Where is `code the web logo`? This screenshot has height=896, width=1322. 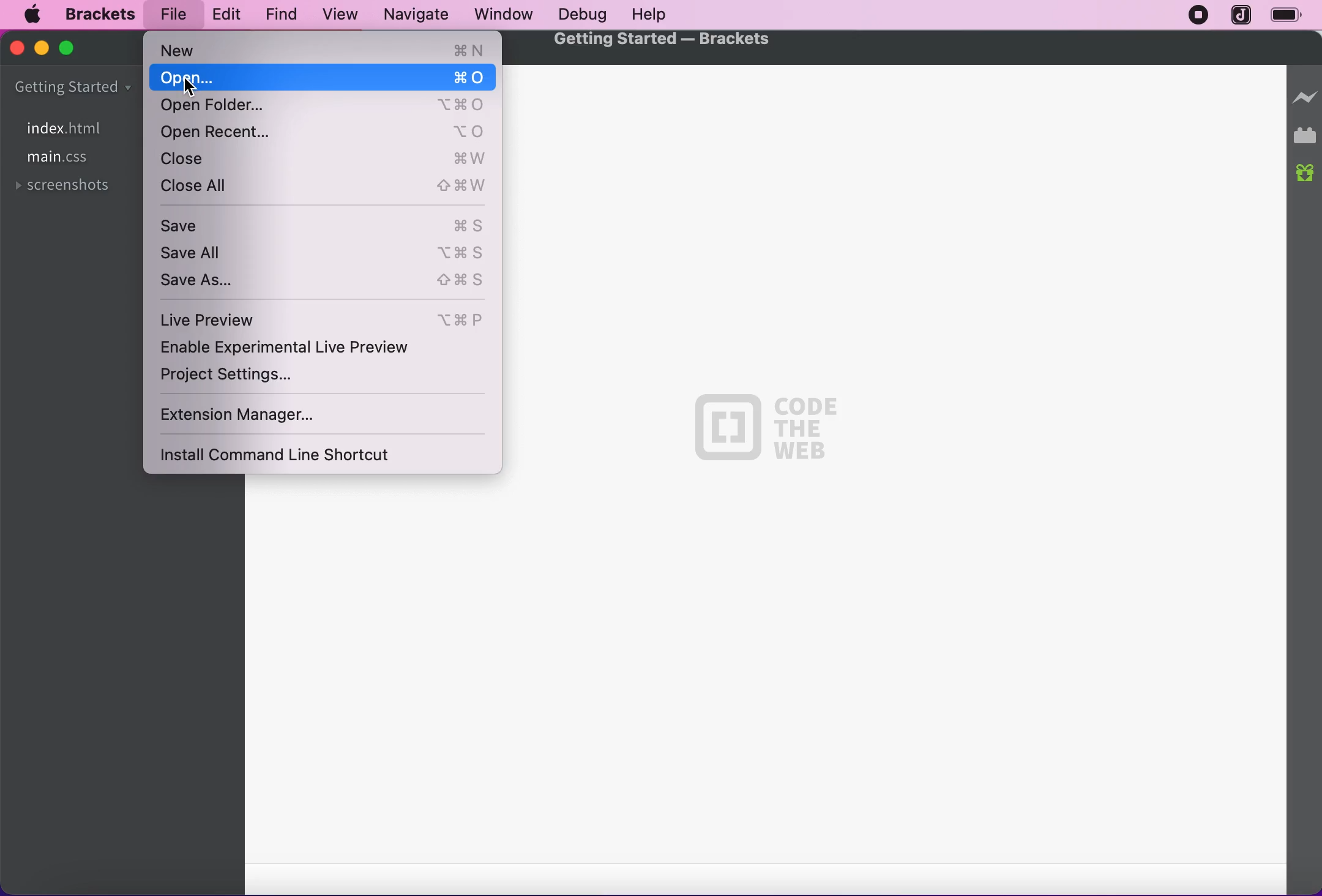 code the web logo is located at coordinates (765, 426).